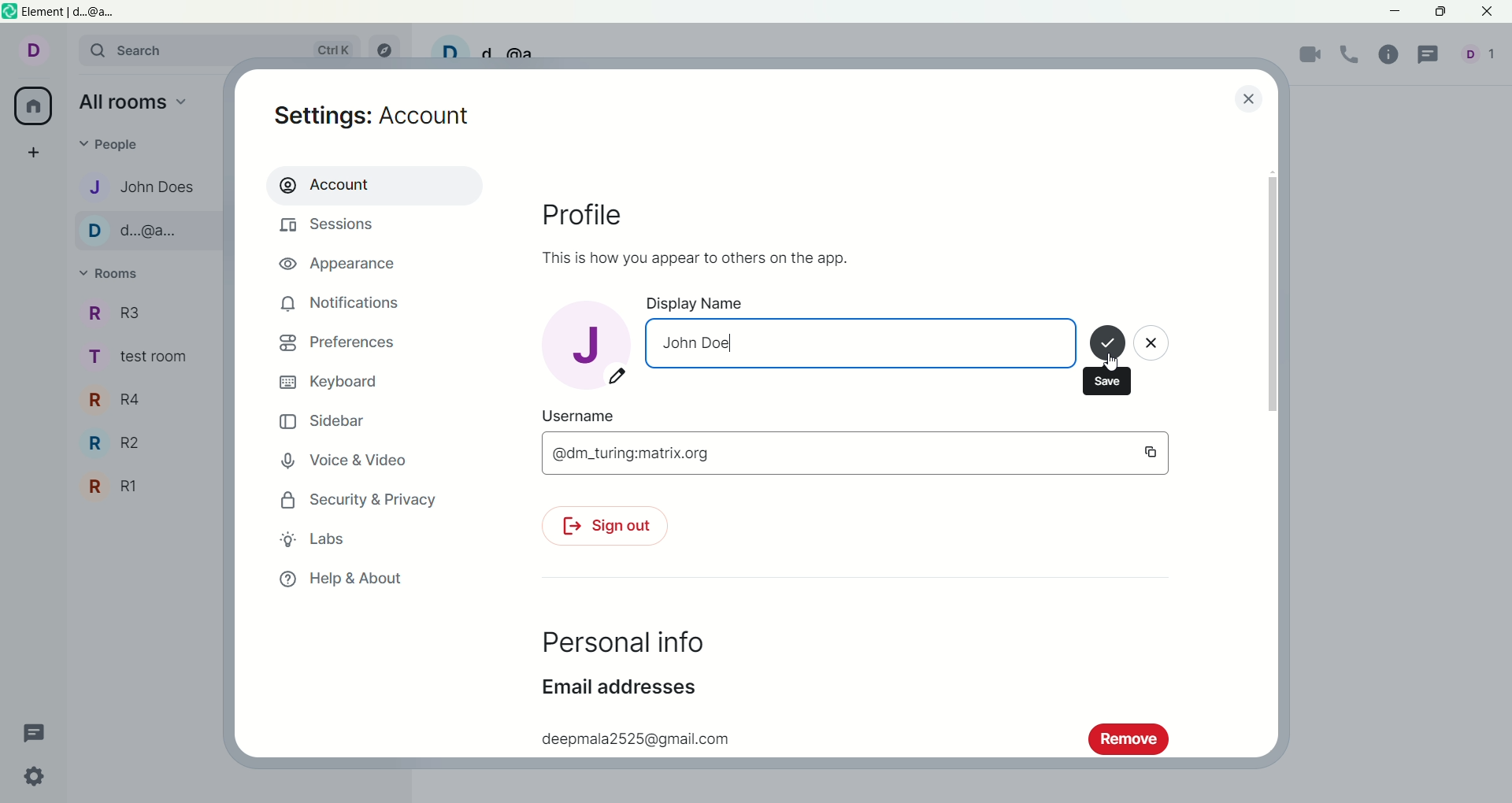 The height and width of the screenshot is (803, 1512). Describe the element at coordinates (1431, 55) in the screenshot. I see `threads` at that location.